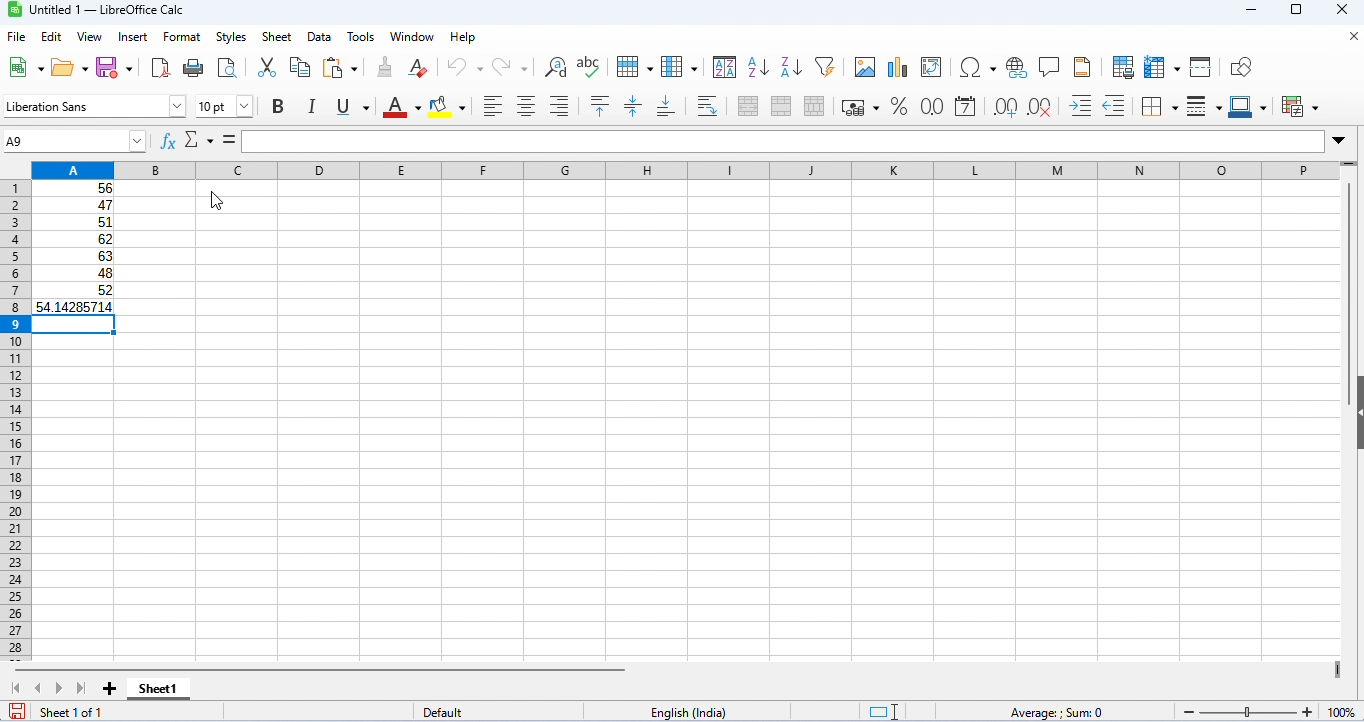 The image size is (1364, 722). What do you see at coordinates (231, 37) in the screenshot?
I see `styles` at bounding box center [231, 37].